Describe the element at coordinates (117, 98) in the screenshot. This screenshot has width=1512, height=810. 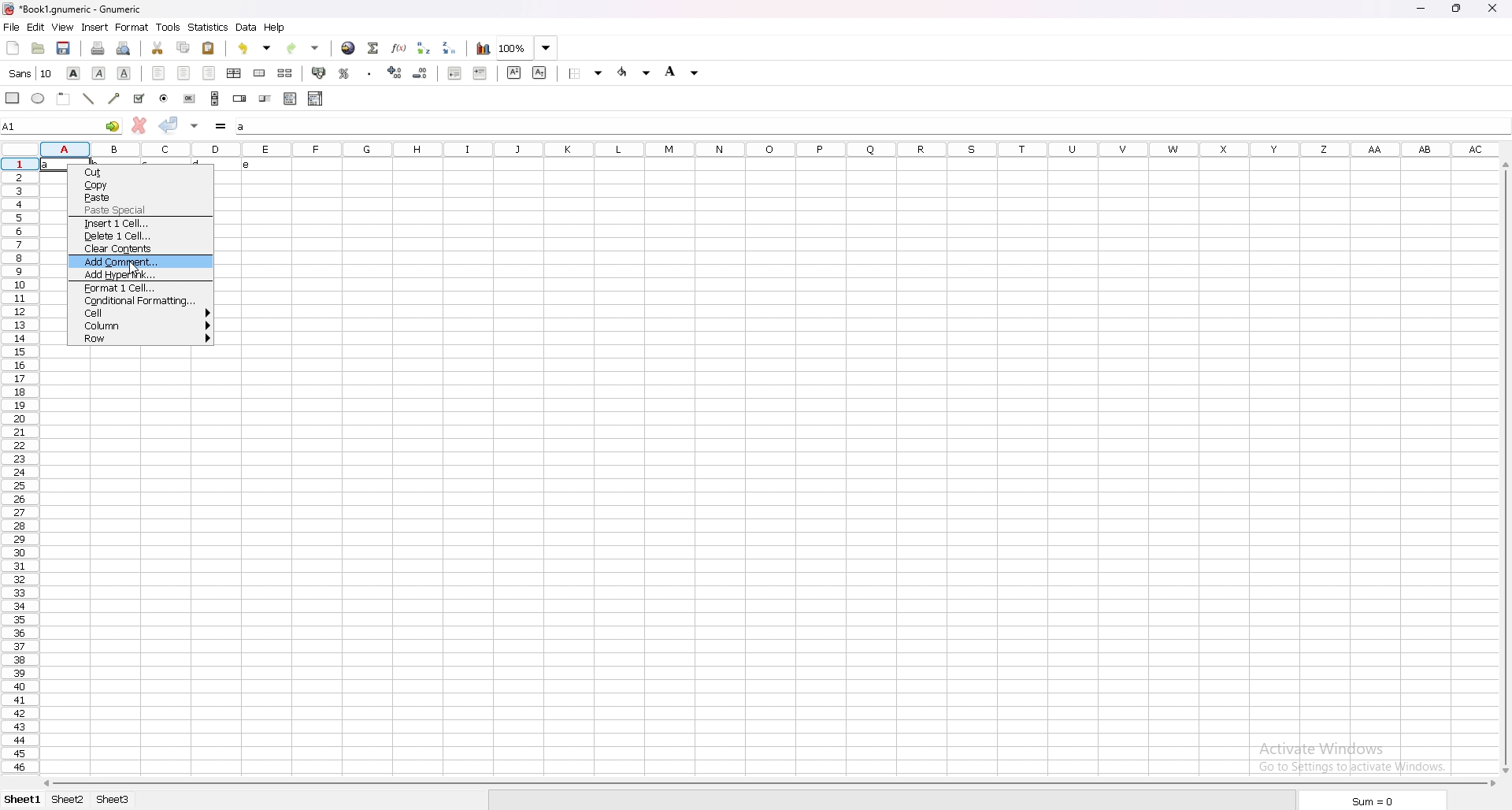
I see `arrowed line` at that location.